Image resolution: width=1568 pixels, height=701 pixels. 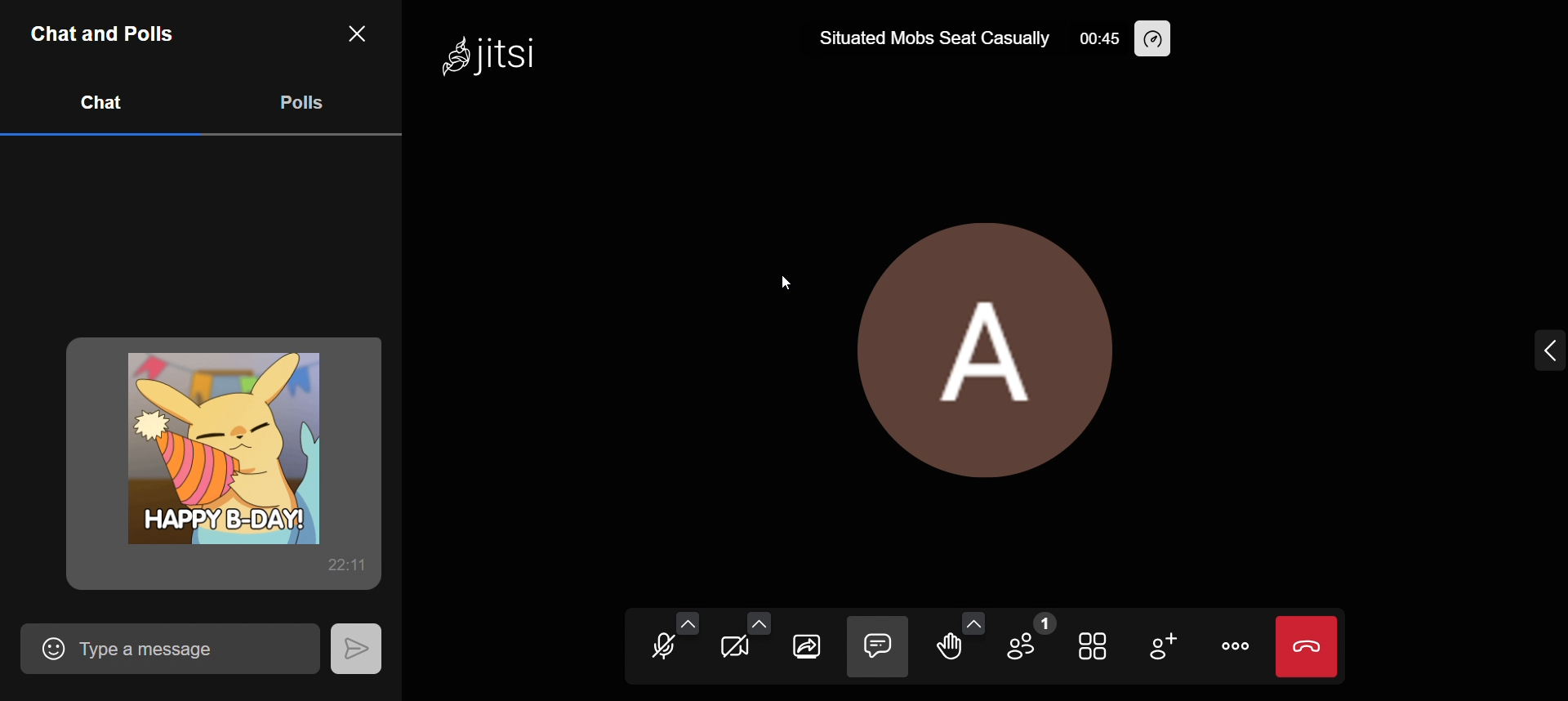 What do you see at coordinates (354, 645) in the screenshot?
I see `send message` at bounding box center [354, 645].